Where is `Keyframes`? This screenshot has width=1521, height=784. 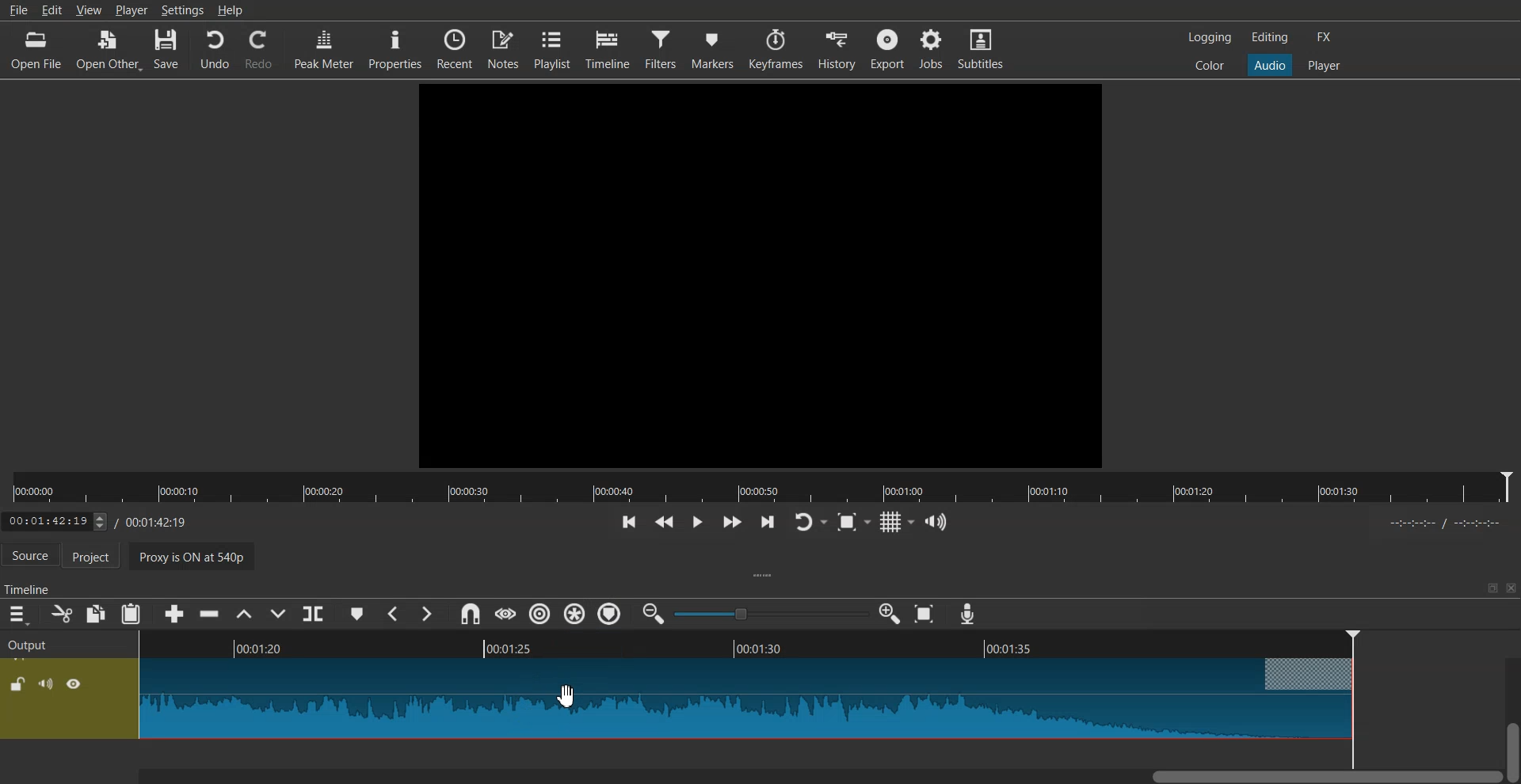 Keyframes is located at coordinates (776, 48).